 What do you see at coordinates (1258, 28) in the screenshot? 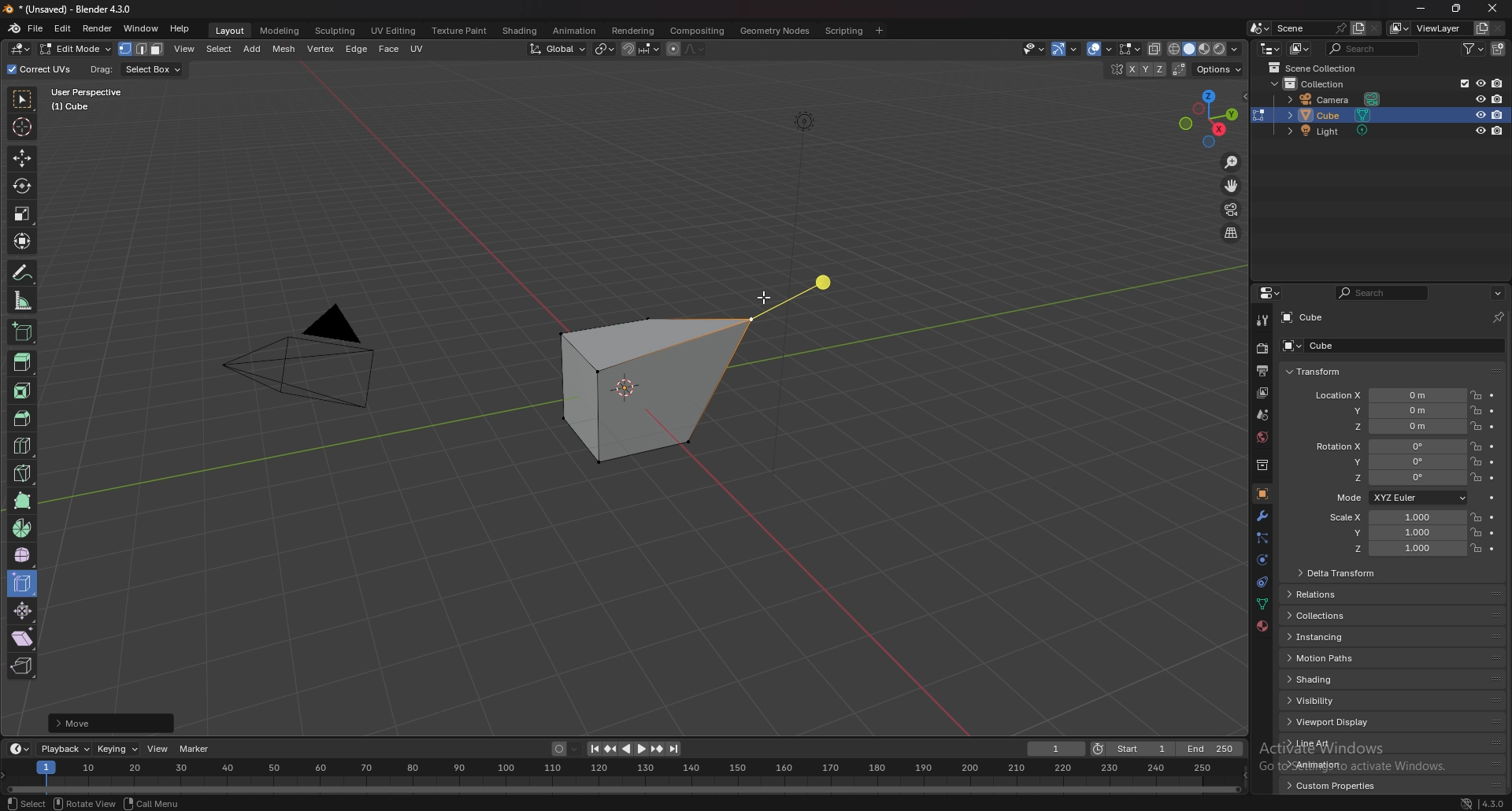
I see `browse scene` at bounding box center [1258, 28].